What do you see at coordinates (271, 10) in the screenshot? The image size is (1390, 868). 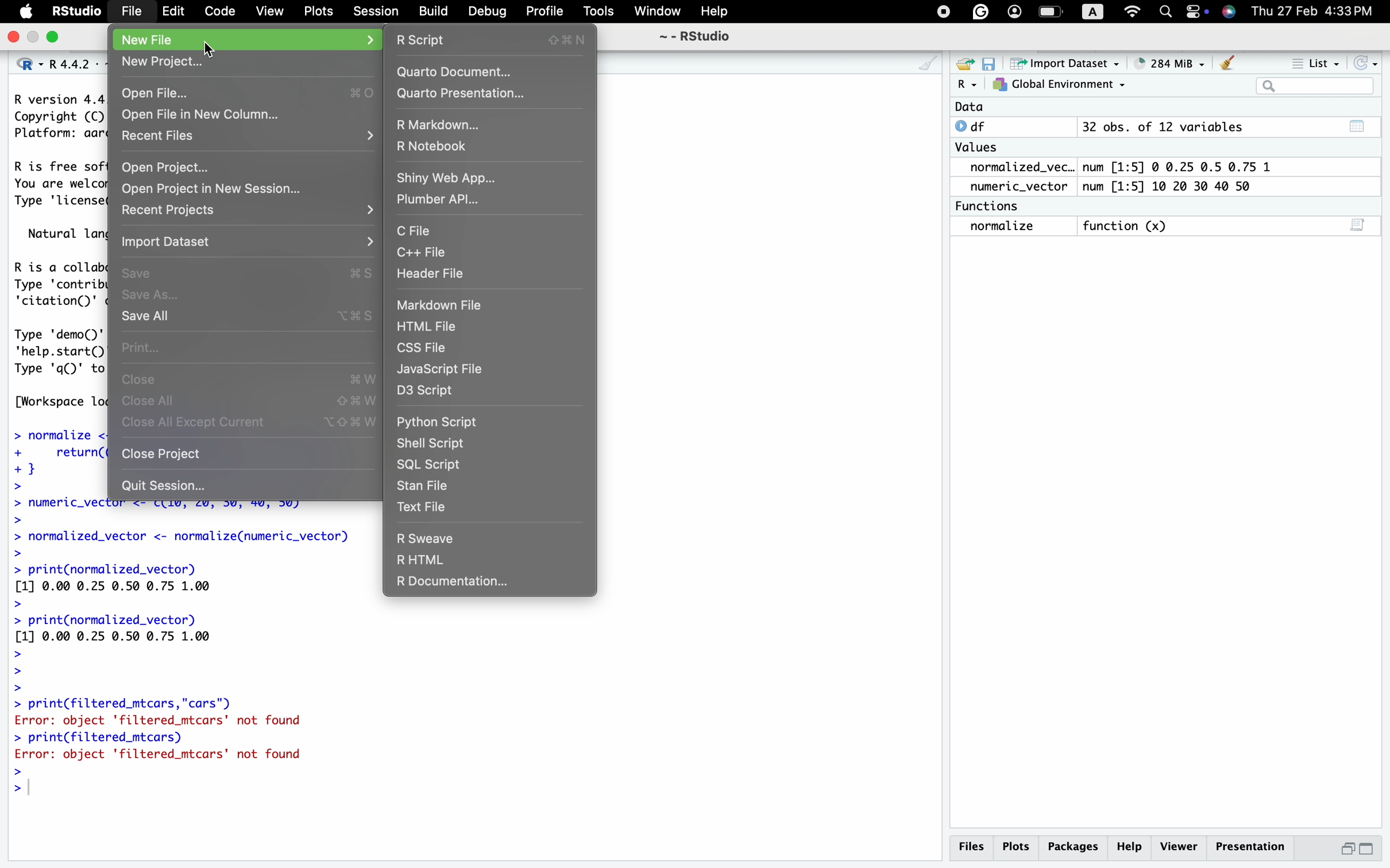 I see `View` at bounding box center [271, 10].